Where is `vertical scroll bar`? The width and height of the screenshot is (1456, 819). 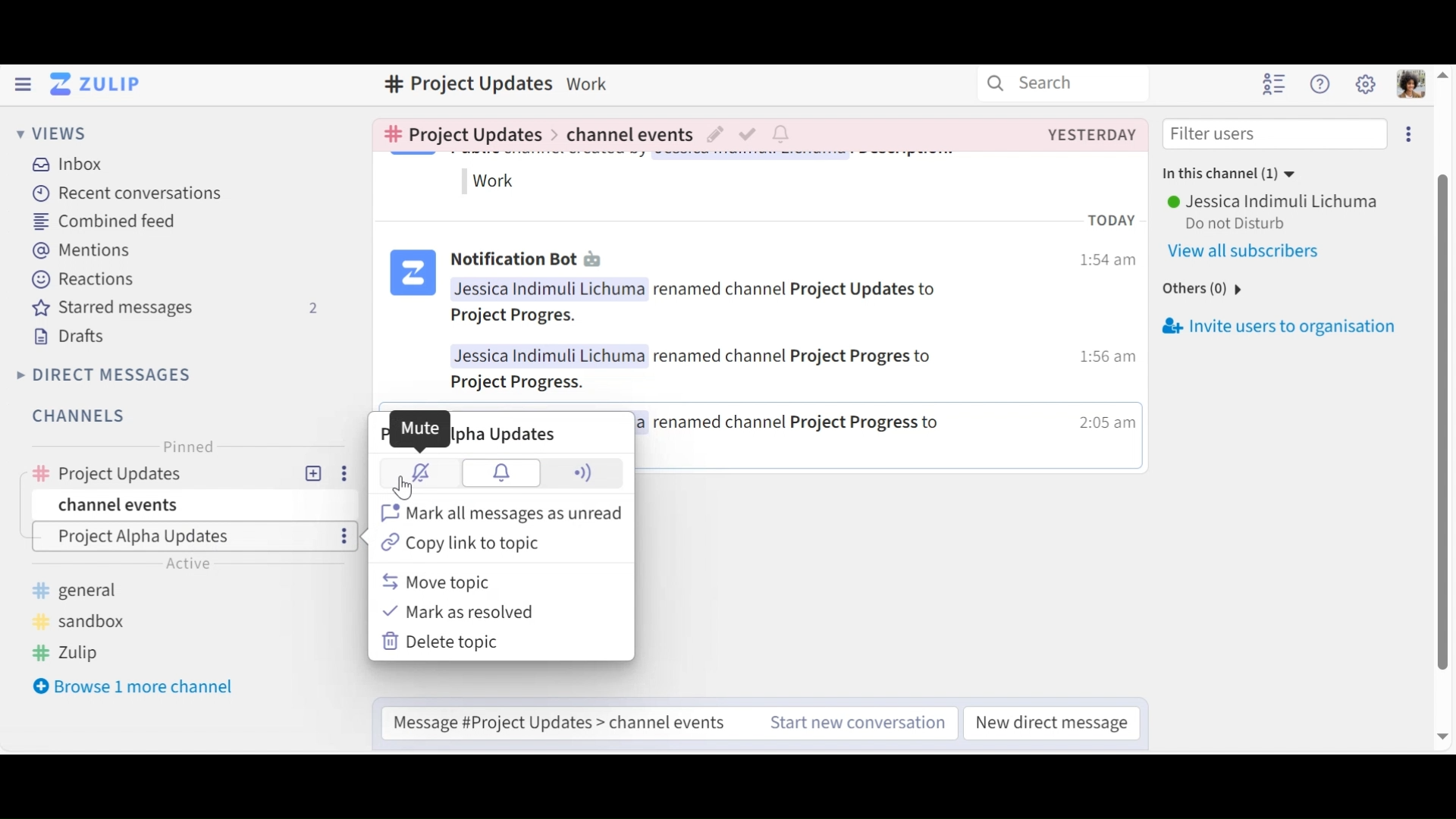
vertical scroll bar is located at coordinates (1446, 422).